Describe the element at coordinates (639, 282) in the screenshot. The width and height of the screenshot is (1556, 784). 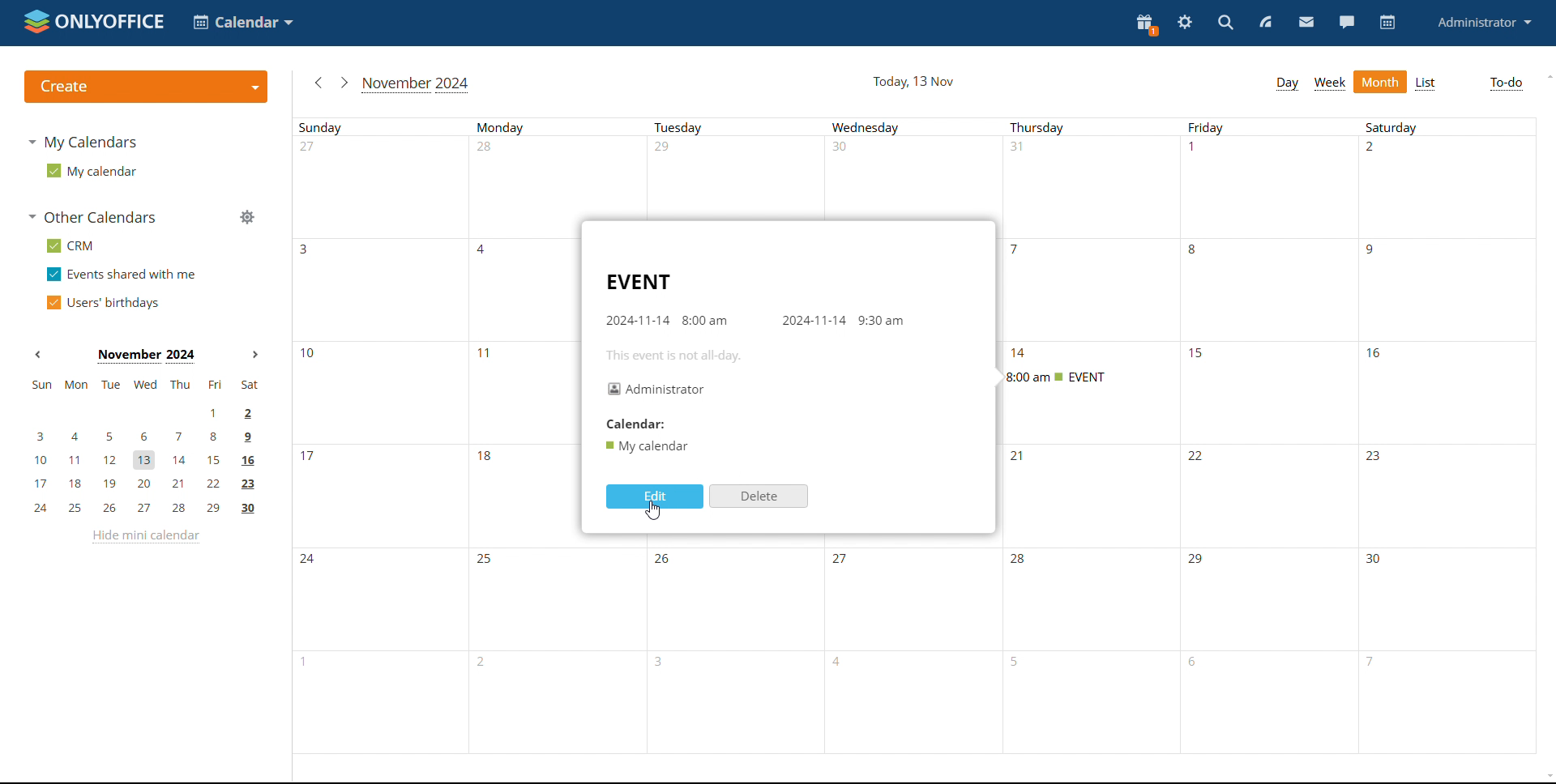
I see `event namr` at that location.